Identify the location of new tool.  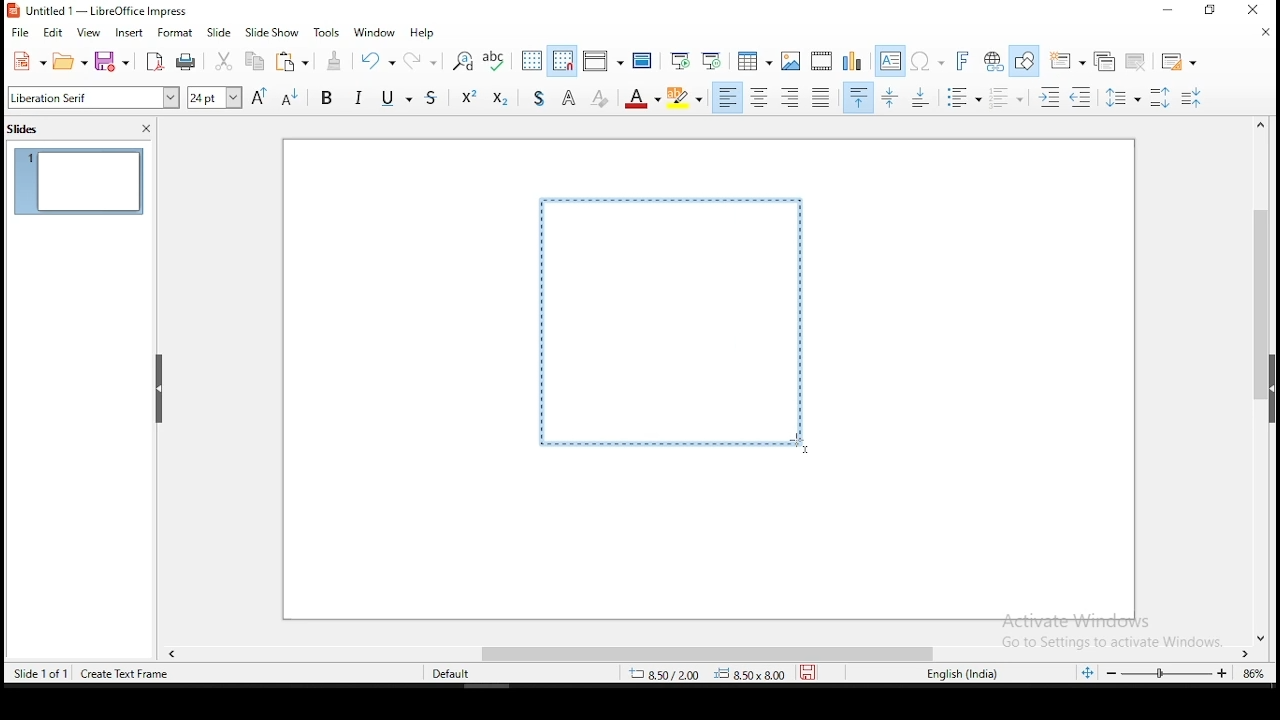
(26, 62).